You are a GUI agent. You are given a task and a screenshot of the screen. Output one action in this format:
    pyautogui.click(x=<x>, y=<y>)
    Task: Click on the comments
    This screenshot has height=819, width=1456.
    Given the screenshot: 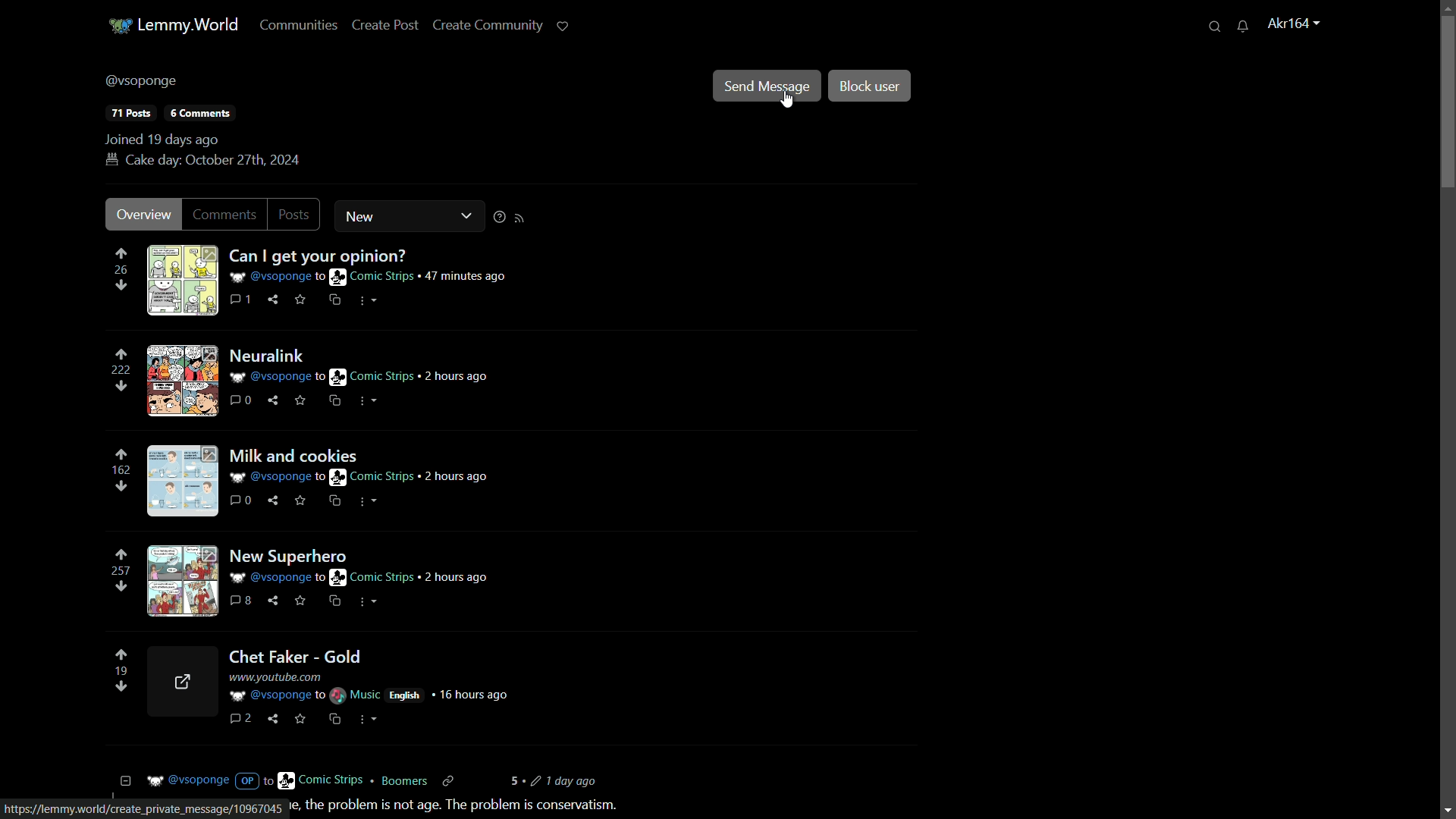 What is the action you would take?
    pyautogui.click(x=202, y=114)
    